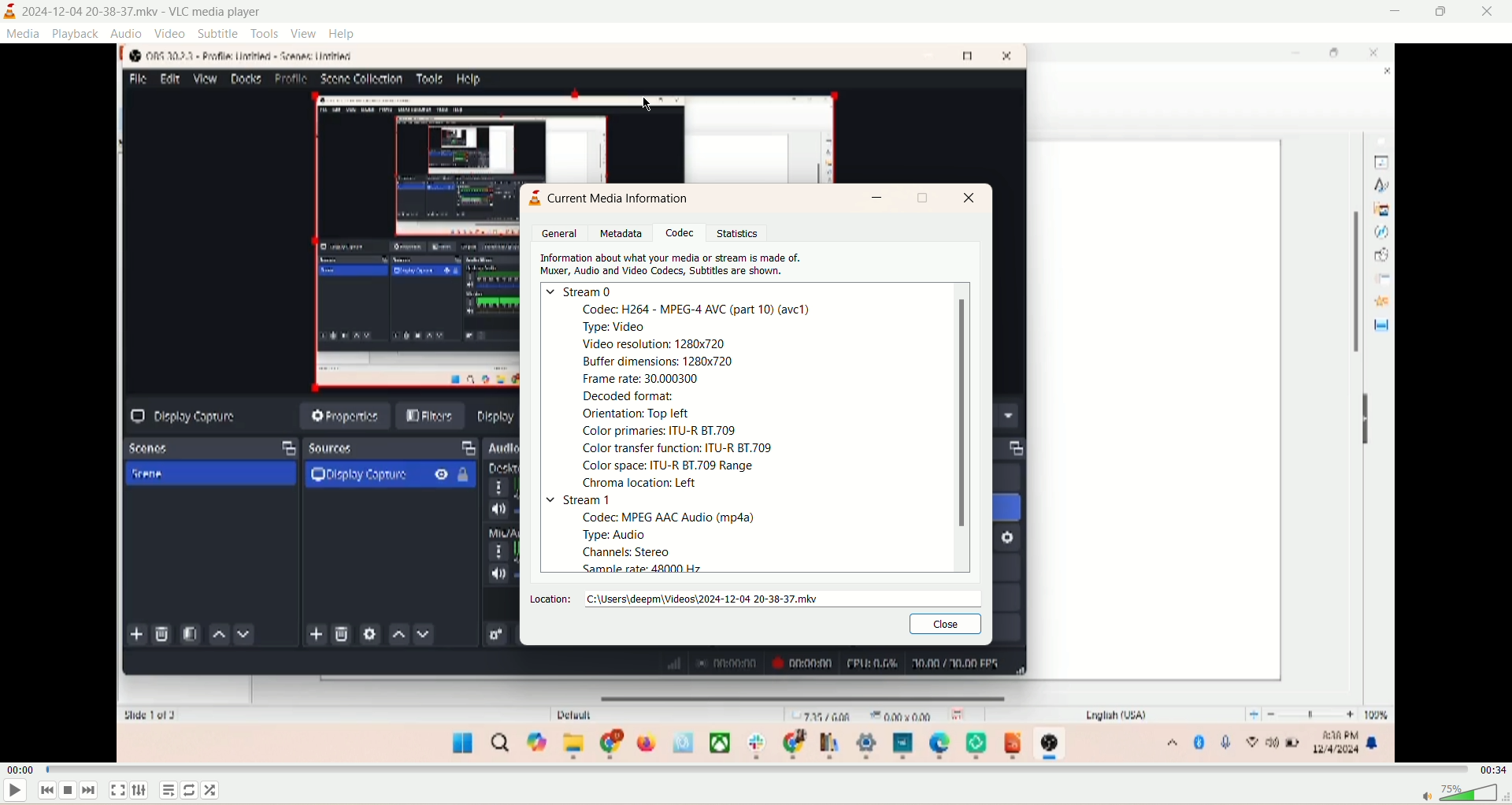 The image size is (1512, 805). Describe the element at coordinates (1492, 772) in the screenshot. I see `total time` at that location.